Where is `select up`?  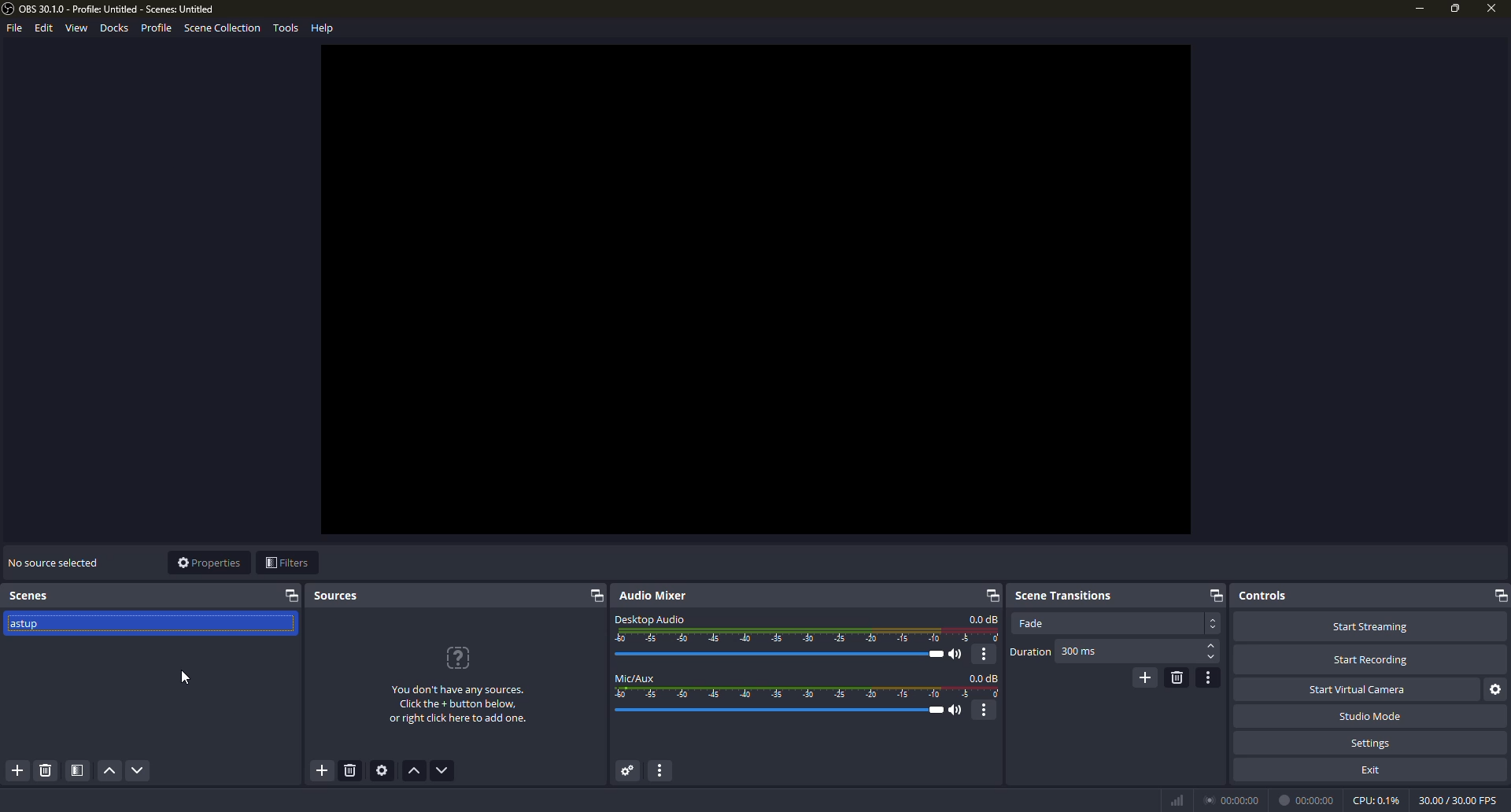
select up is located at coordinates (1212, 646).